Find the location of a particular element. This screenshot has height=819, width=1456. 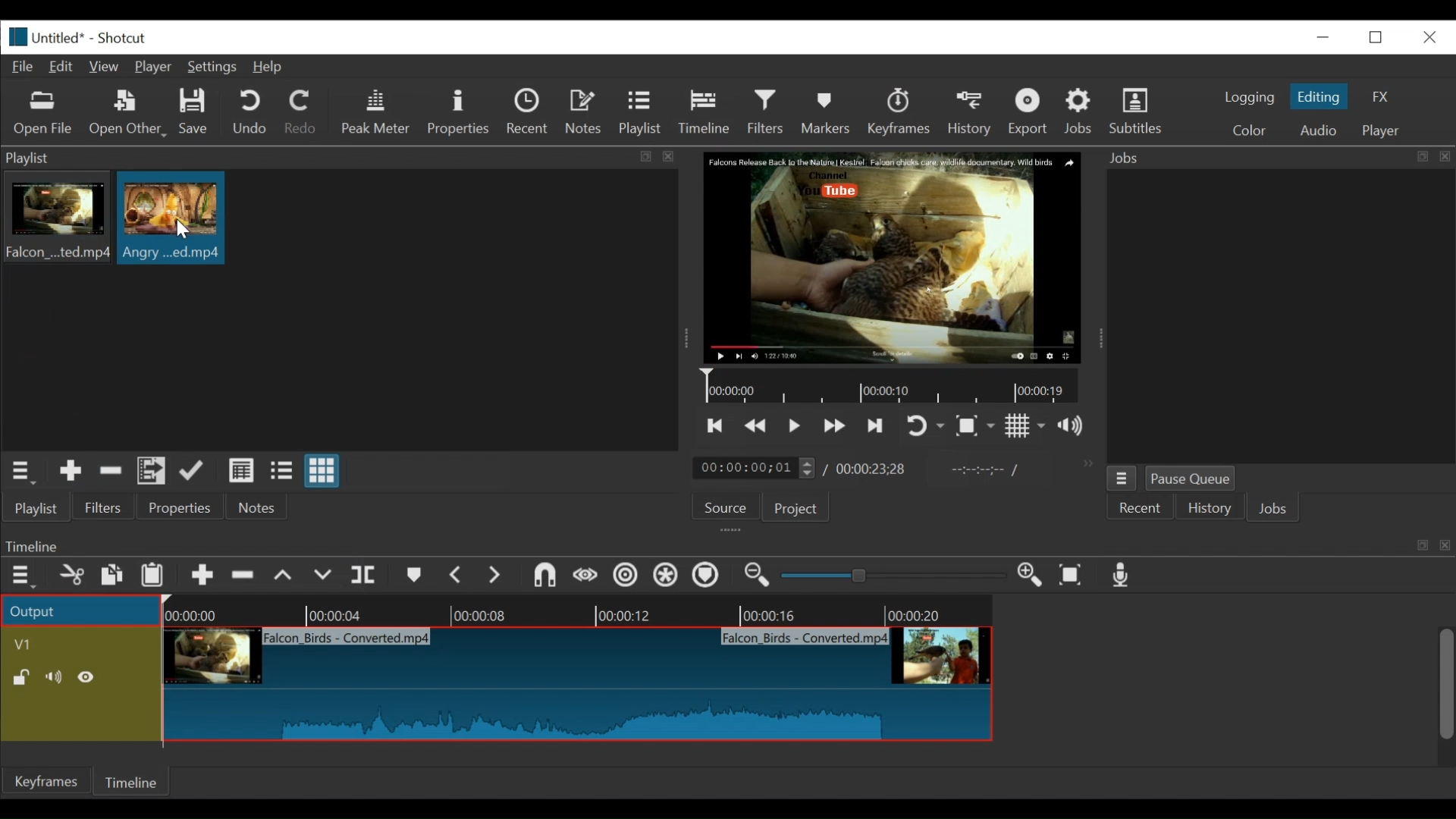

player is located at coordinates (1382, 131).